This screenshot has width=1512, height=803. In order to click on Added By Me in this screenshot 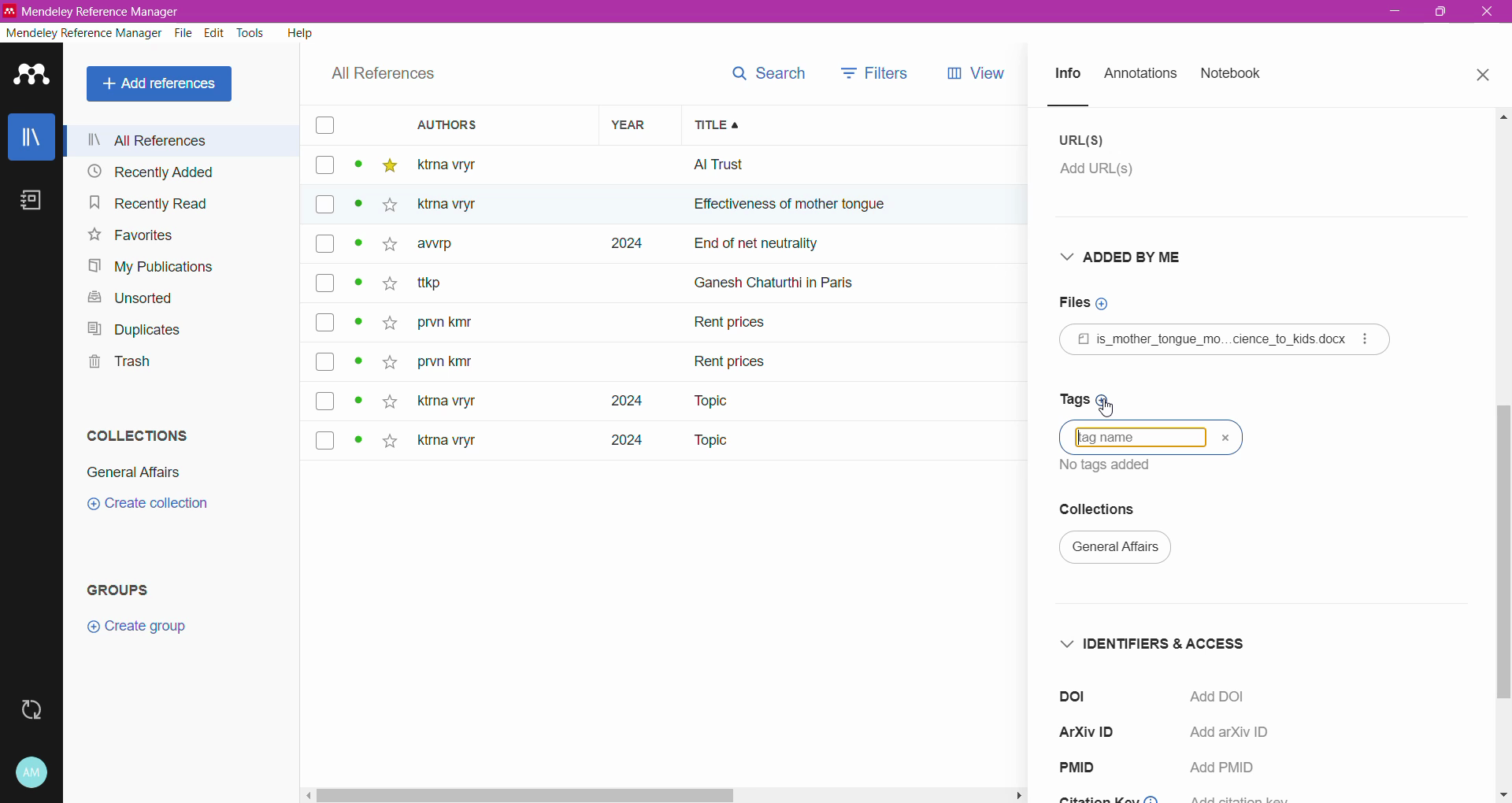, I will do `click(1132, 257)`.